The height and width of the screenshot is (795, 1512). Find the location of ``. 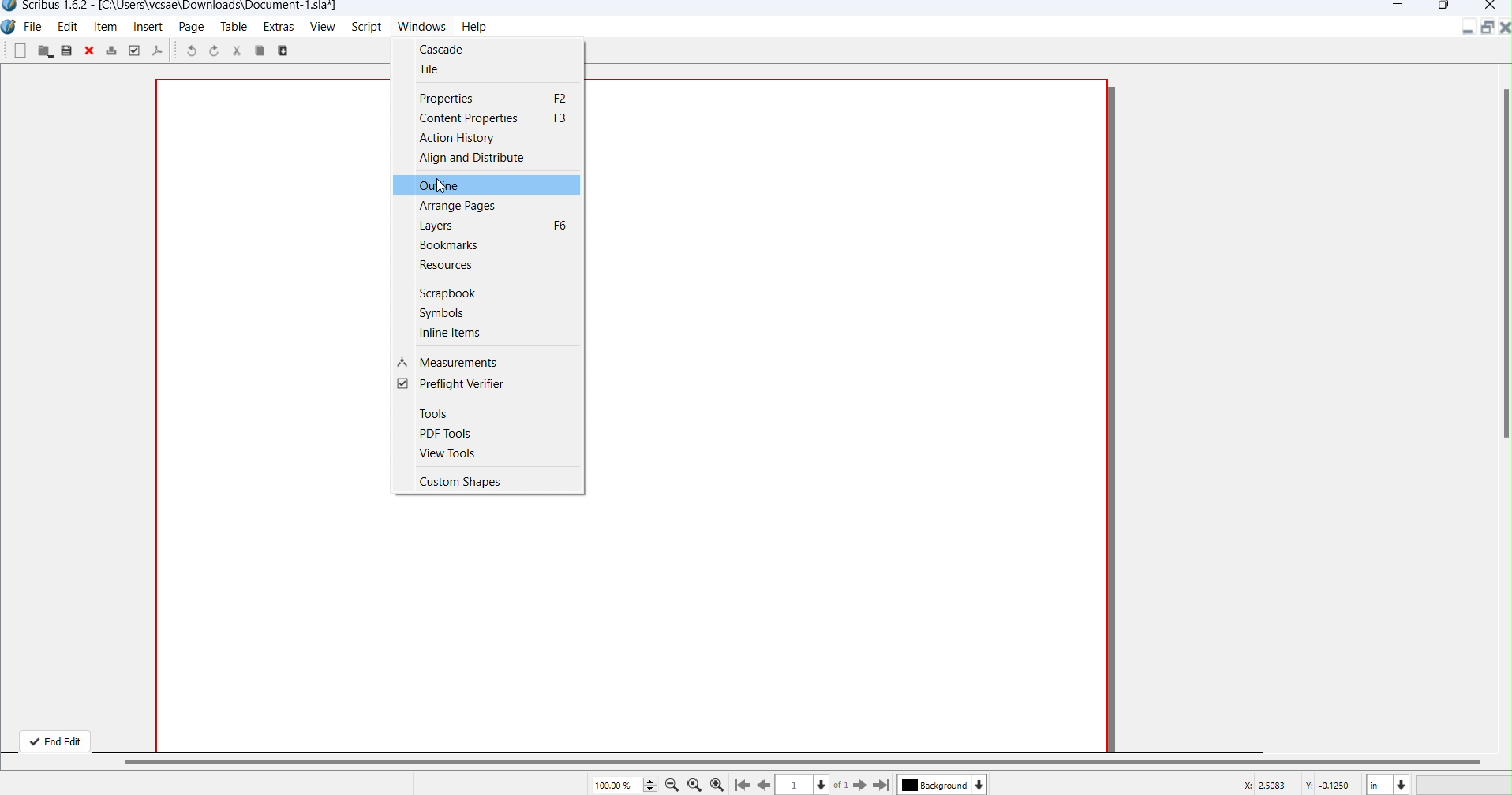

 is located at coordinates (91, 50).